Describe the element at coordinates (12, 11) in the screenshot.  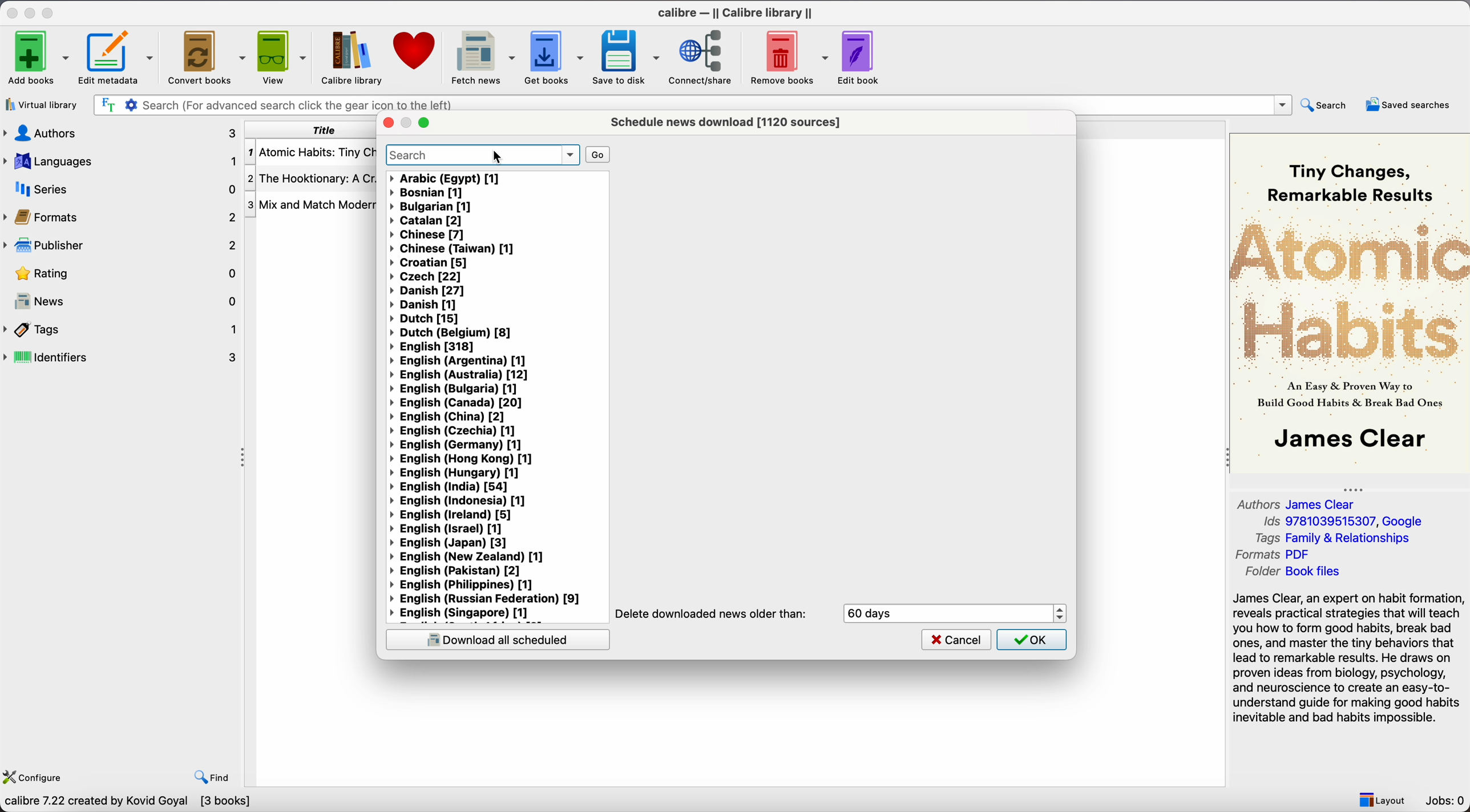
I see `close program` at that location.